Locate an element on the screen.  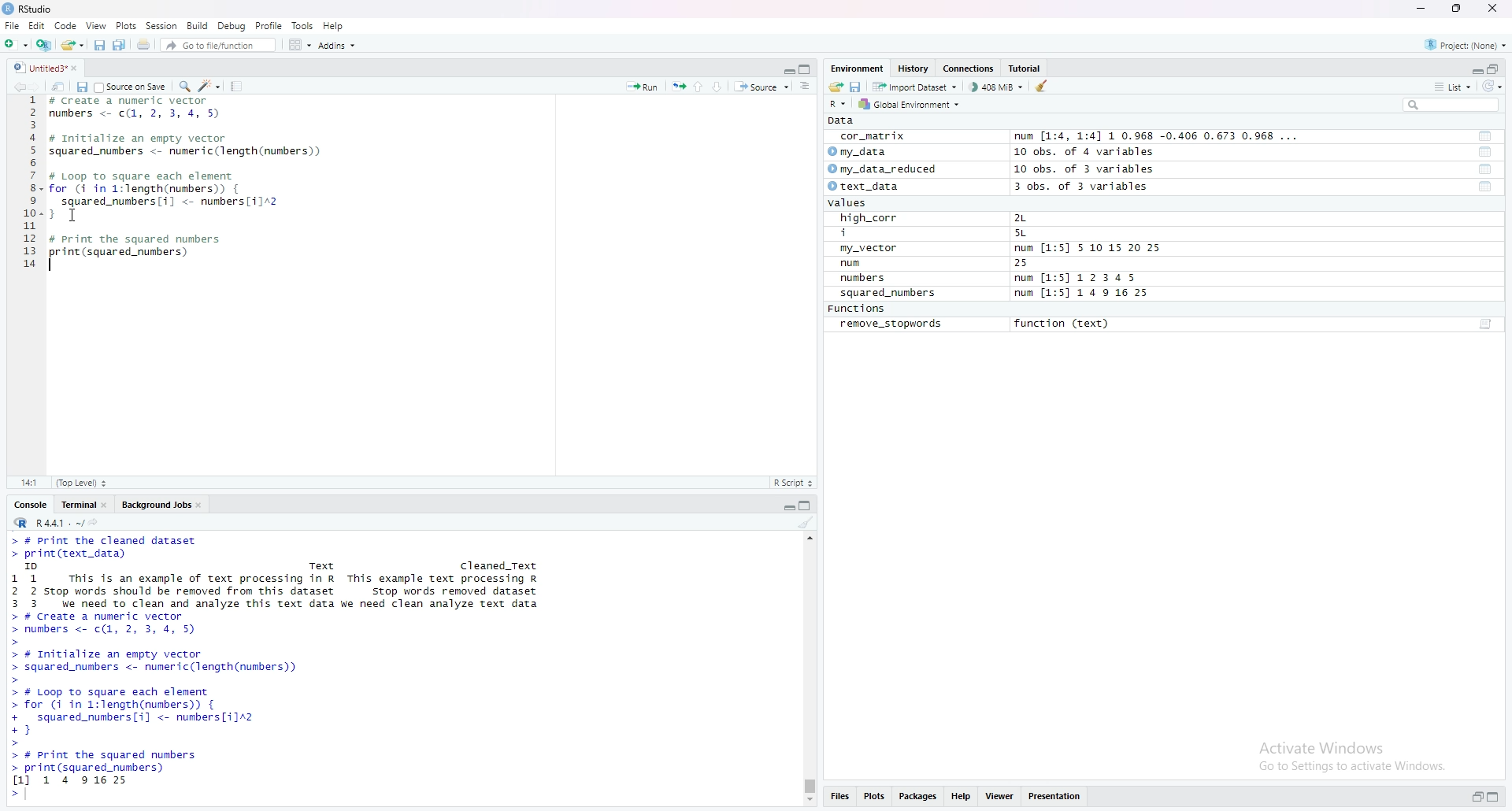
Search is located at coordinates (1451, 105).